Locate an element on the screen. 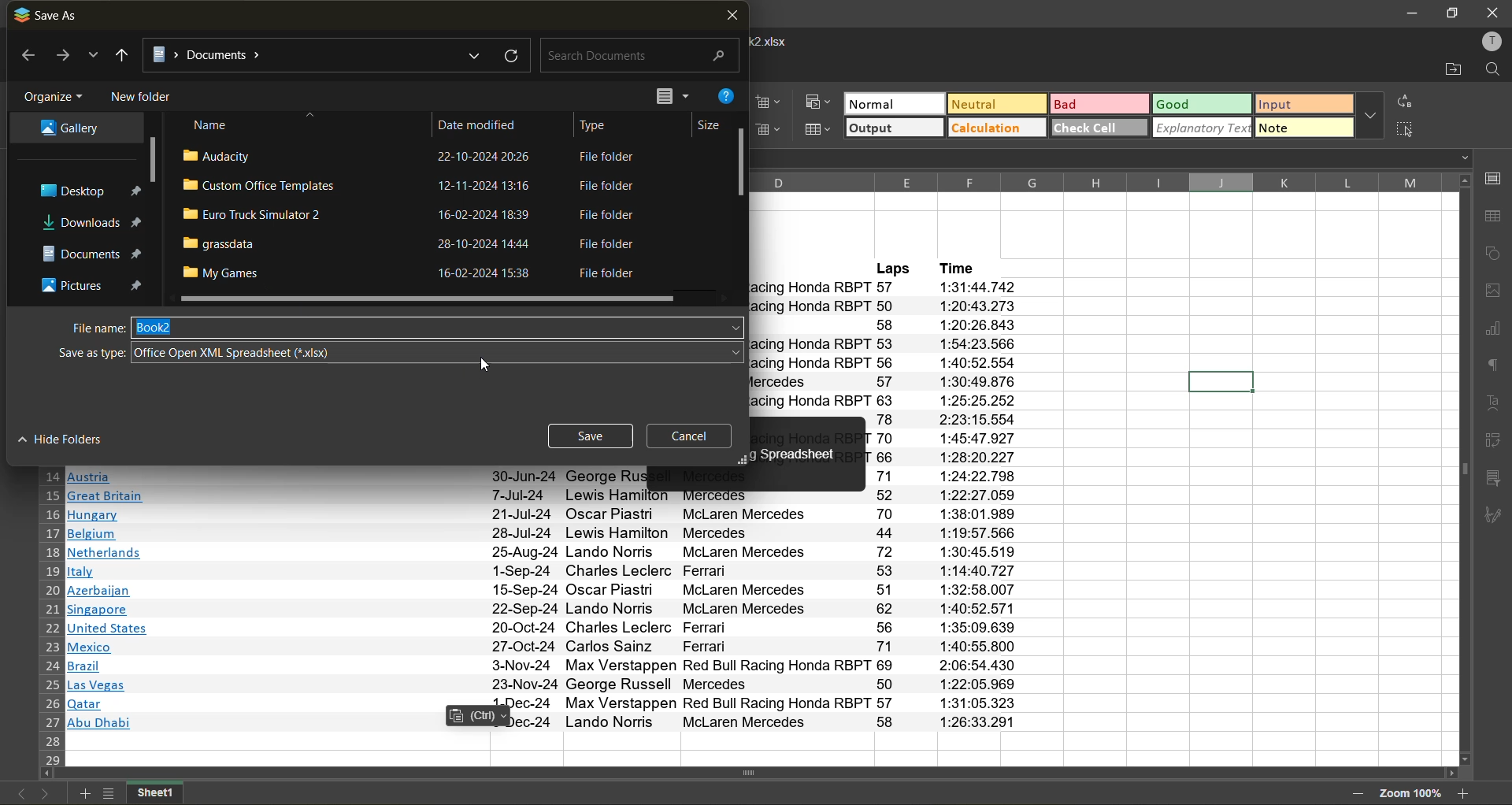  call settings is located at coordinates (1495, 180).